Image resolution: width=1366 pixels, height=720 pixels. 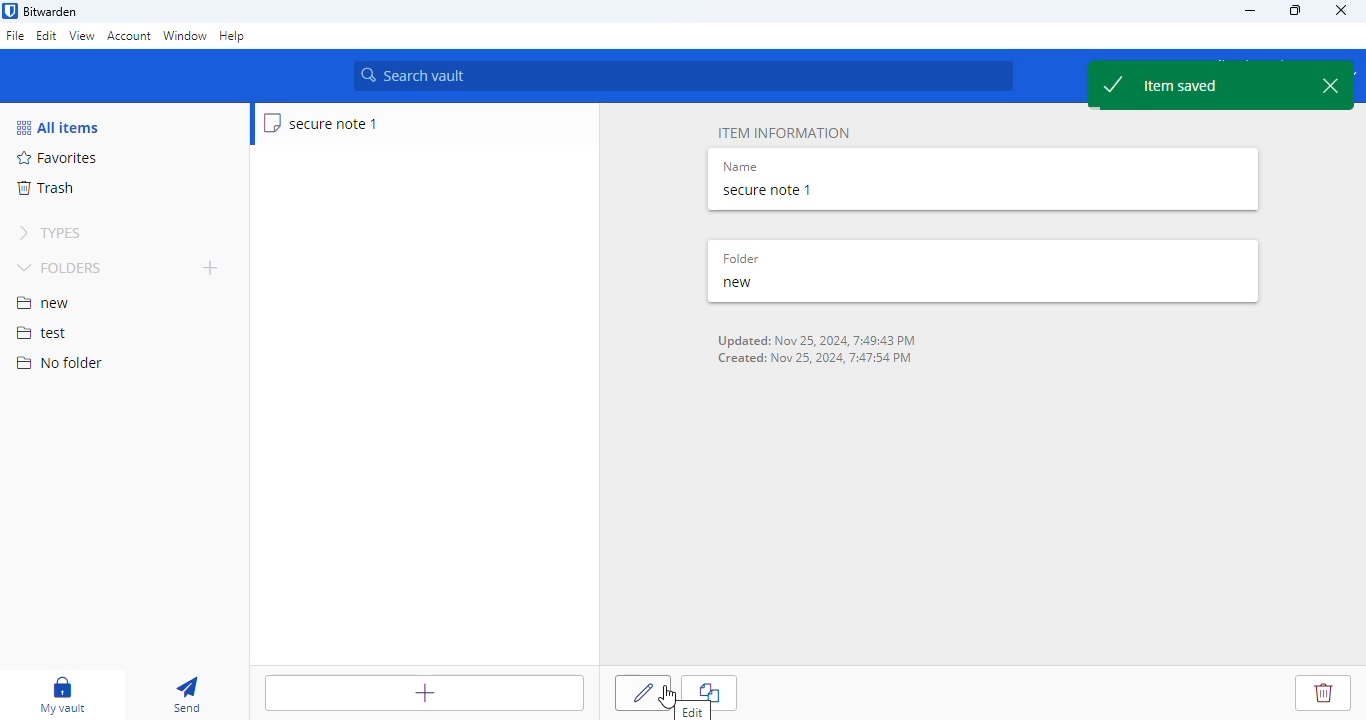 What do you see at coordinates (740, 259) in the screenshot?
I see `folder` at bounding box center [740, 259].